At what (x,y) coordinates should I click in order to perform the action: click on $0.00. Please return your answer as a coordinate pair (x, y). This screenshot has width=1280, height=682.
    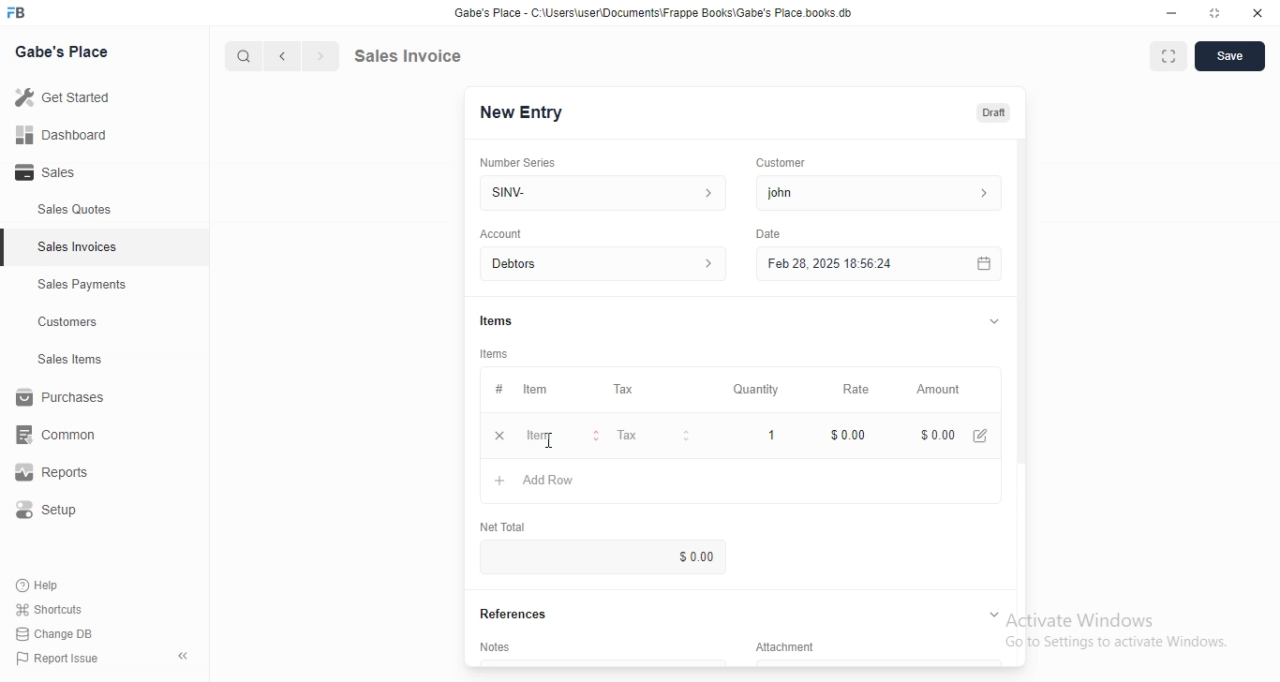
    Looking at the image, I should click on (851, 435).